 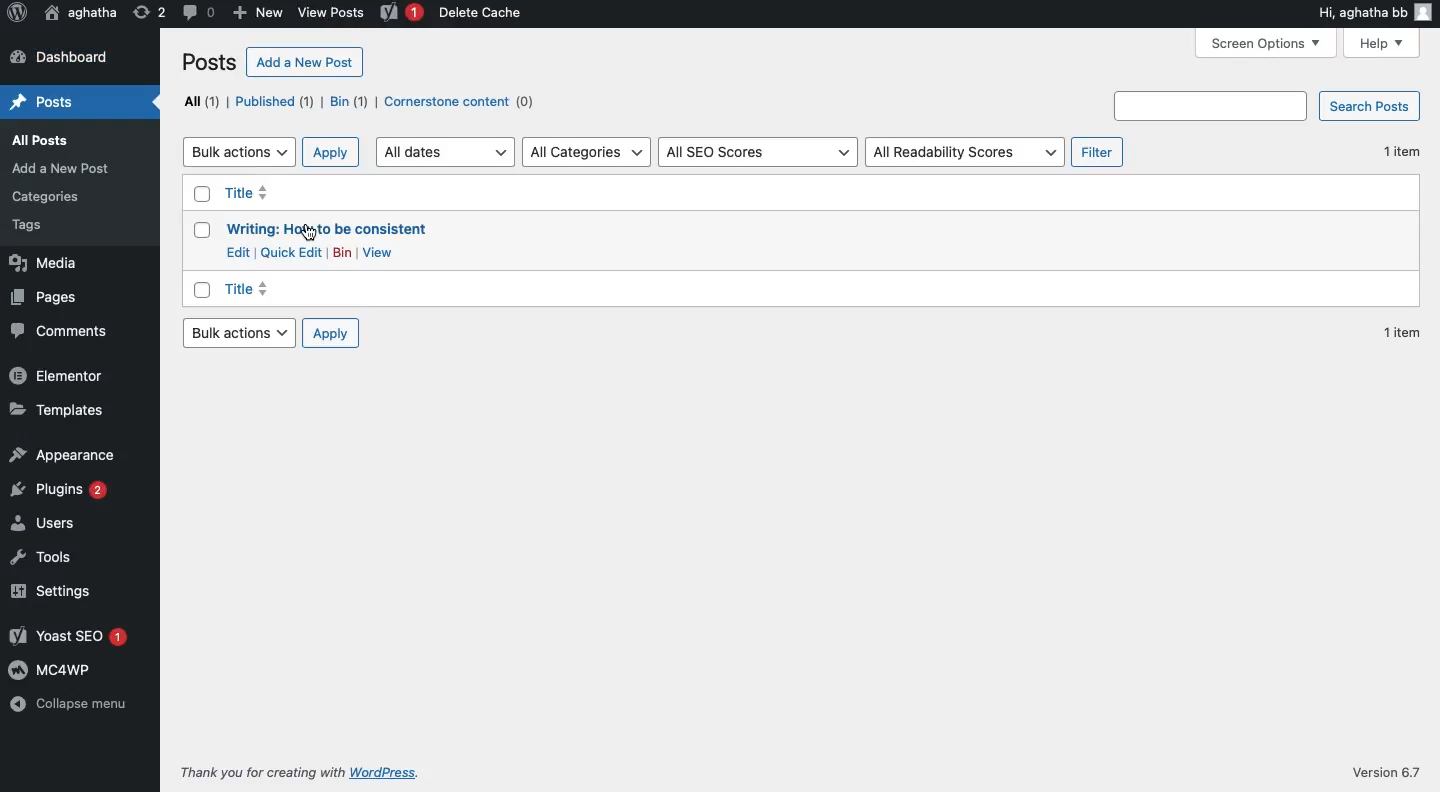 What do you see at coordinates (248, 290) in the screenshot?
I see `Title` at bounding box center [248, 290].